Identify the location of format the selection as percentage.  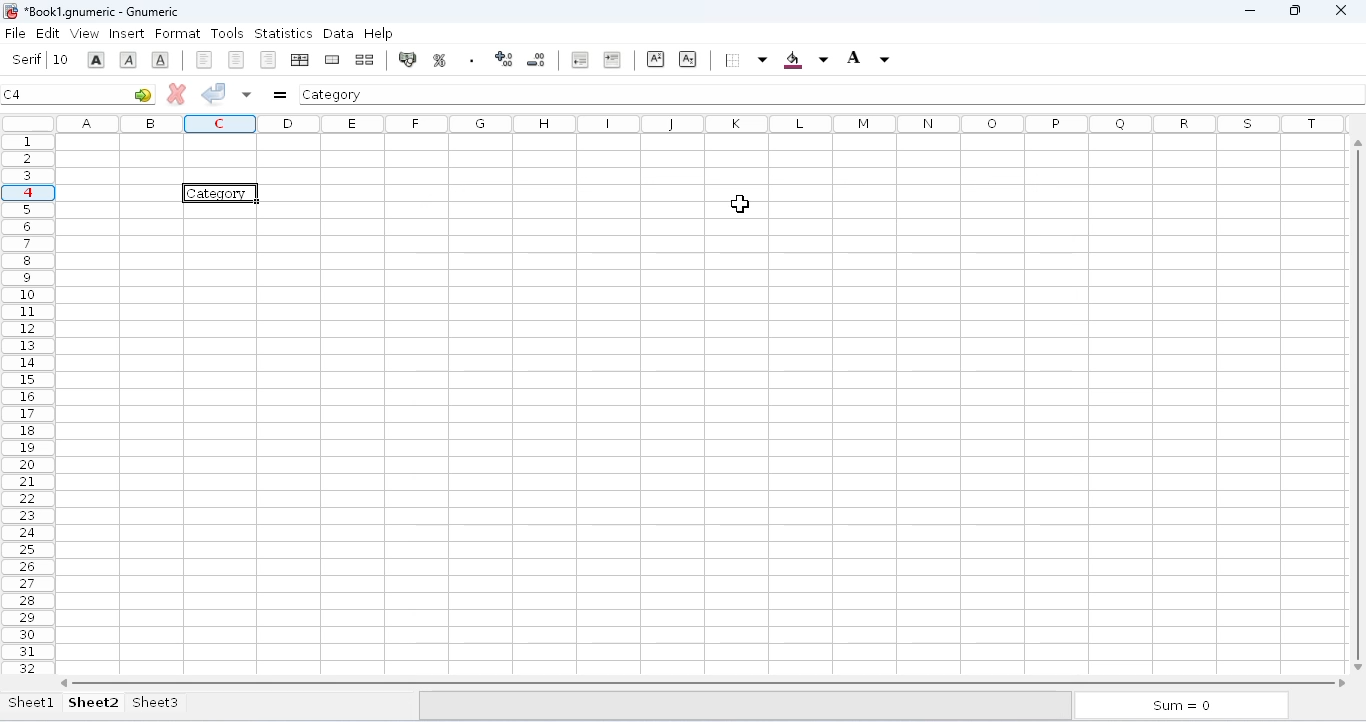
(477, 59).